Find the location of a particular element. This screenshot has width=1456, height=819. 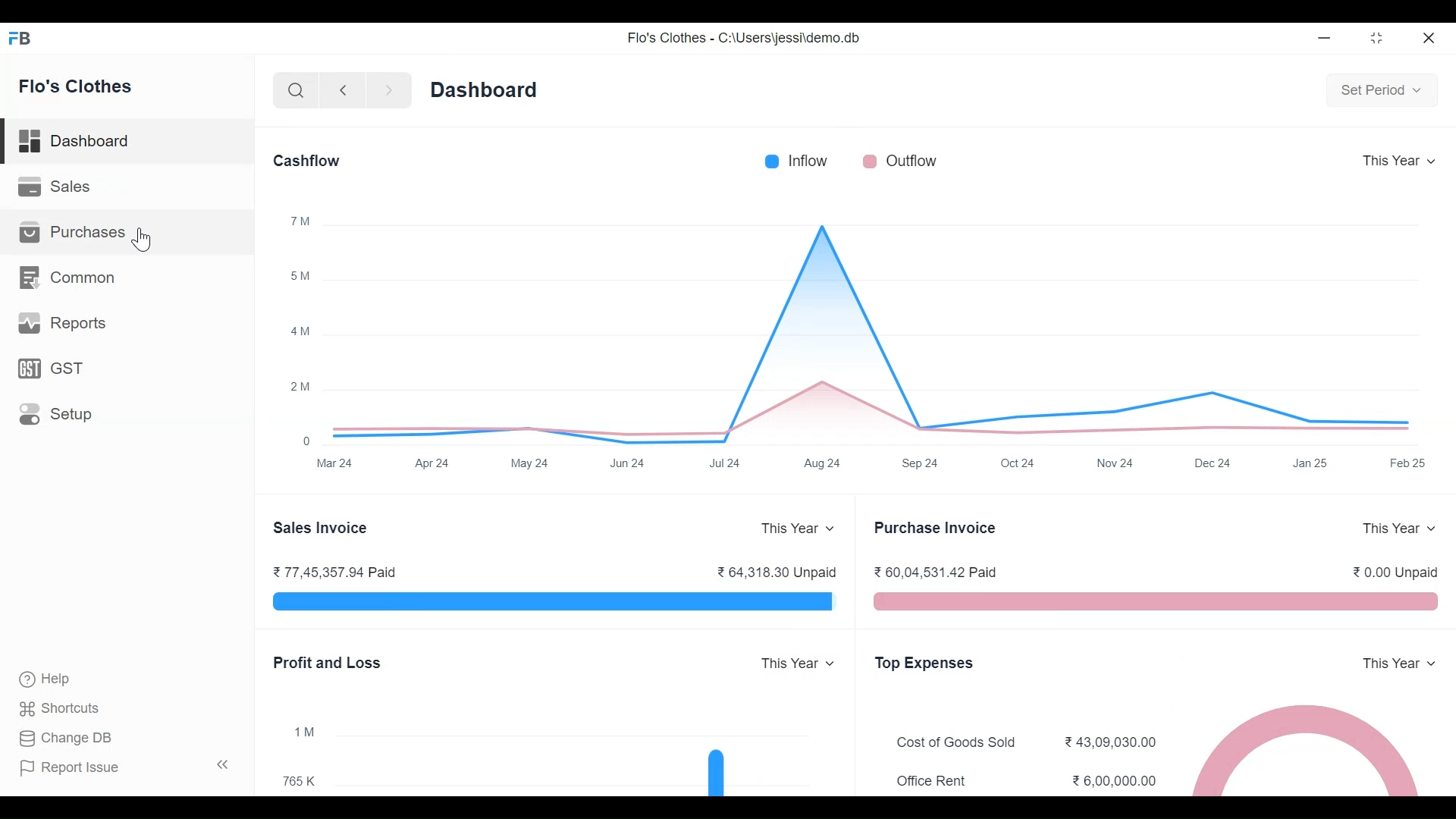

260,04,531.42 Paid is located at coordinates (939, 573).